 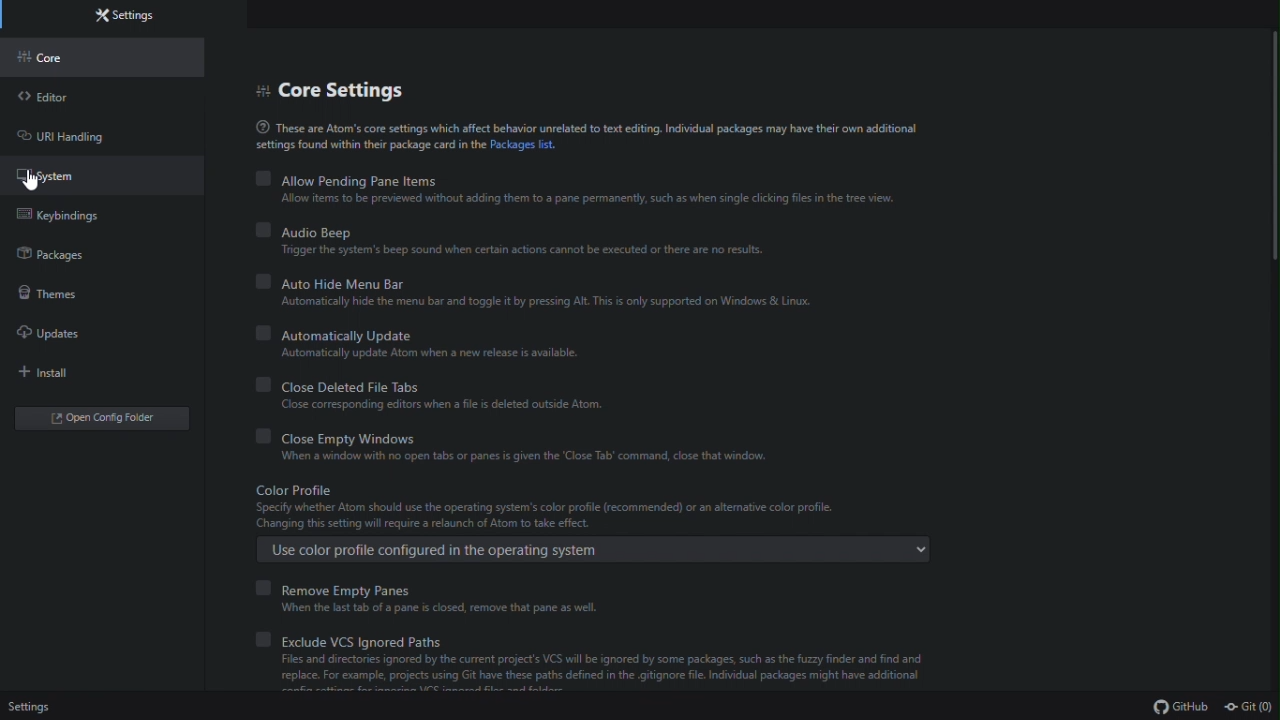 What do you see at coordinates (67, 258) in the screenshot?
I see `Packages` at bounding box center [67, 258].